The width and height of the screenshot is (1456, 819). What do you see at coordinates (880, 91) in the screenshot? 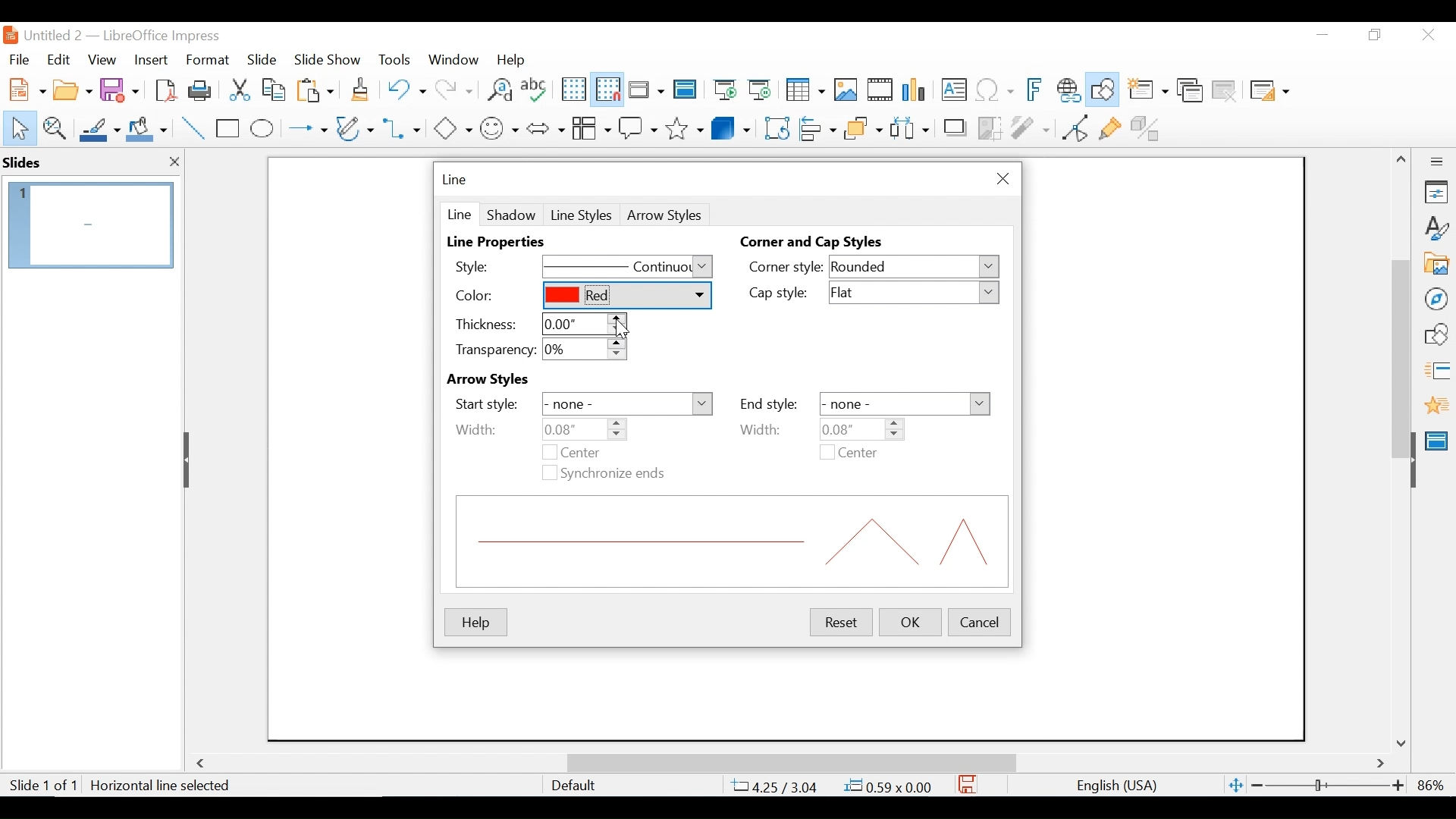
I see `Insert Audio or Video` at bounding box center [880, 91].